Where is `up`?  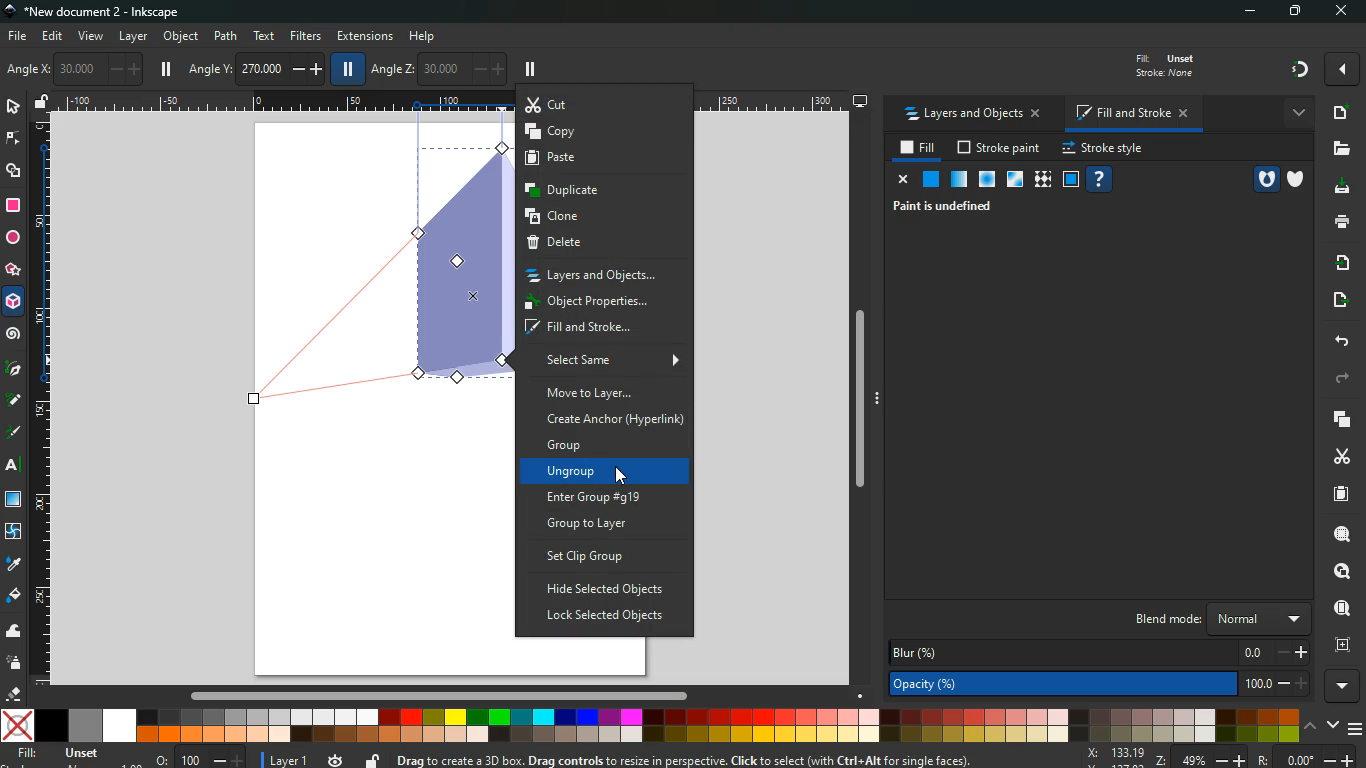
up is located at coordinates (1311, 728).